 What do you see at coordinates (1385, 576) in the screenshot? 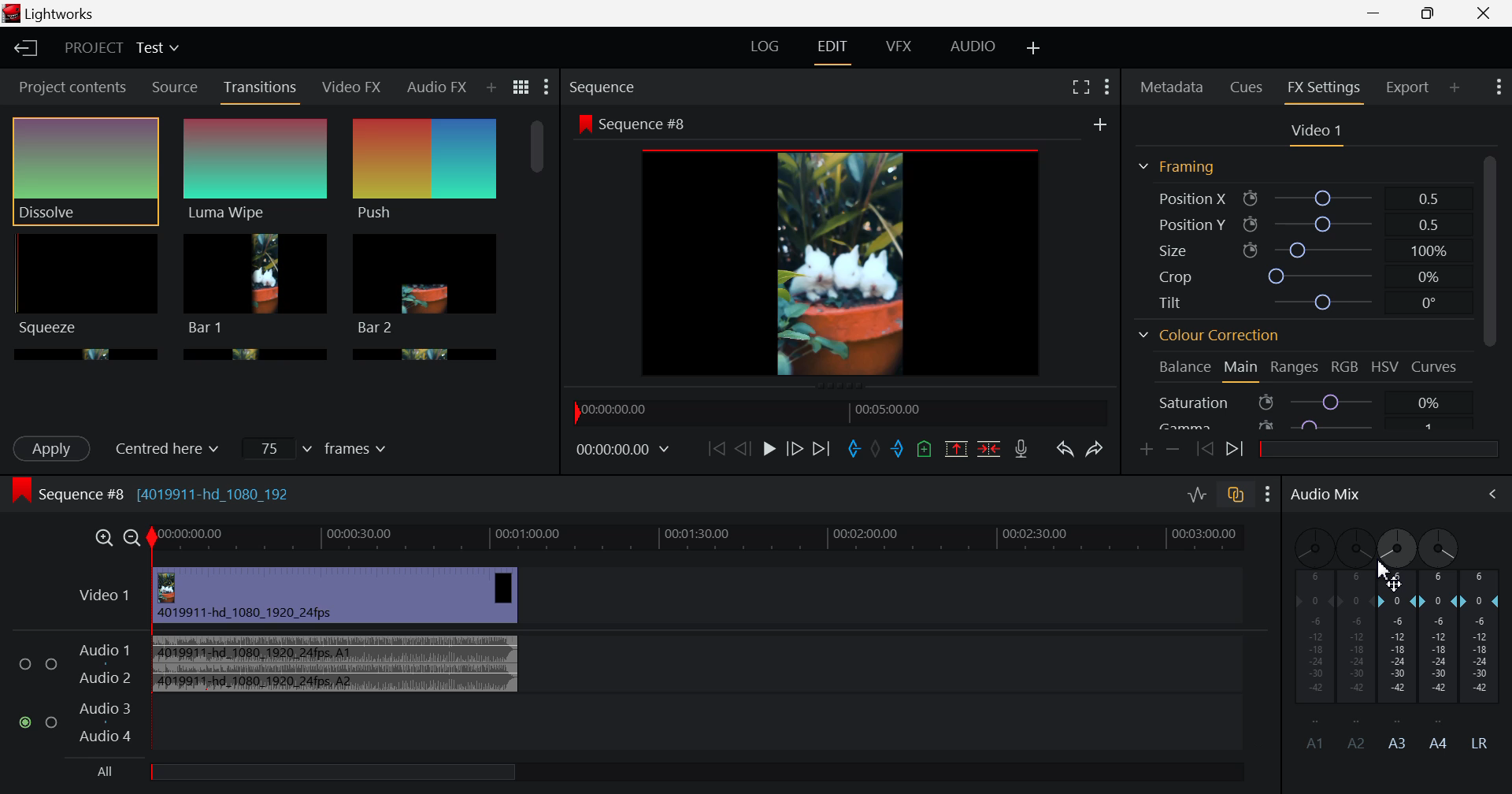
I see `MOUSE_UP Cursor Position` at bounding box center [1385, 576].